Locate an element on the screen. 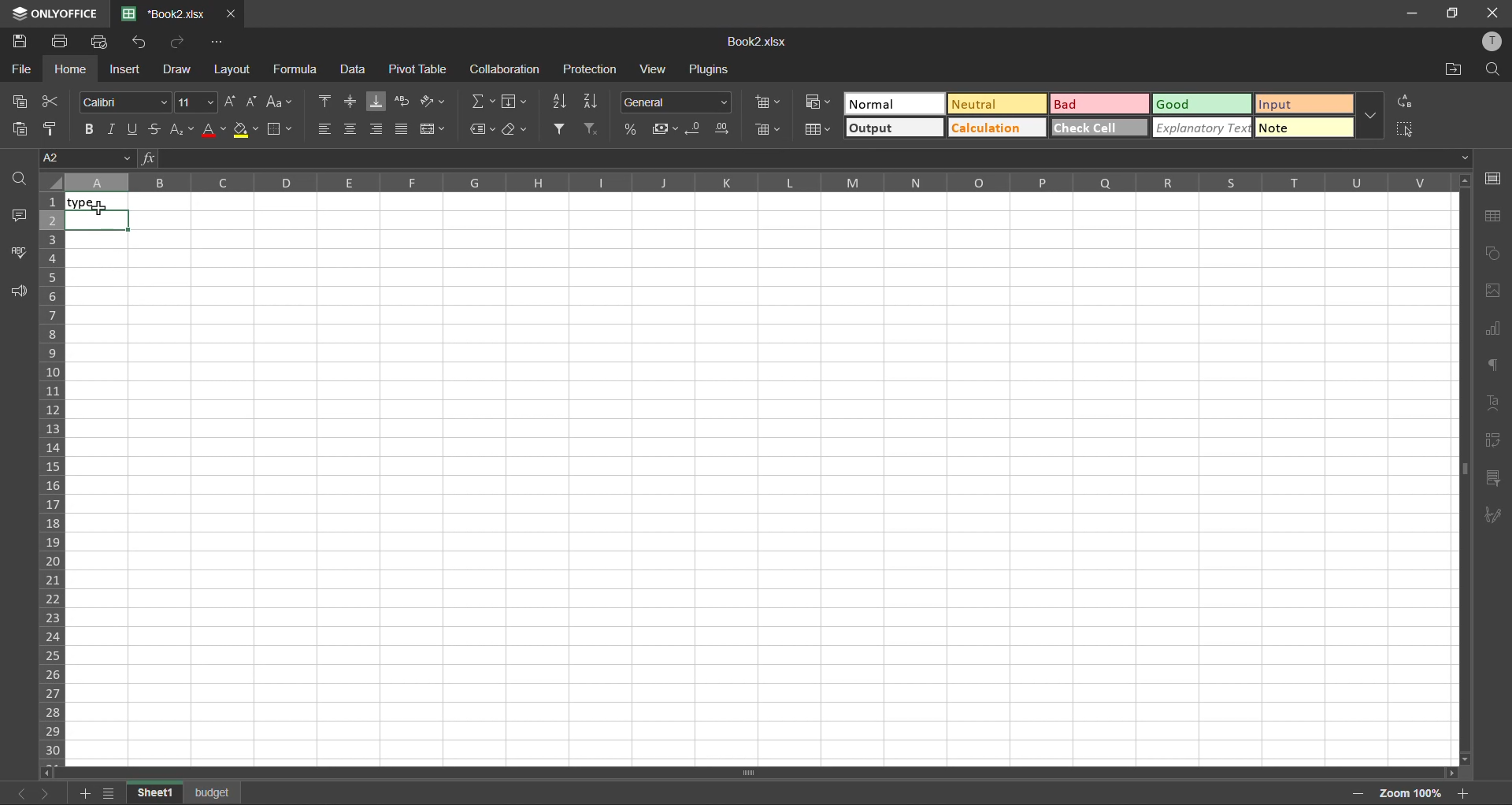  find is located at coordinates (20, 178).